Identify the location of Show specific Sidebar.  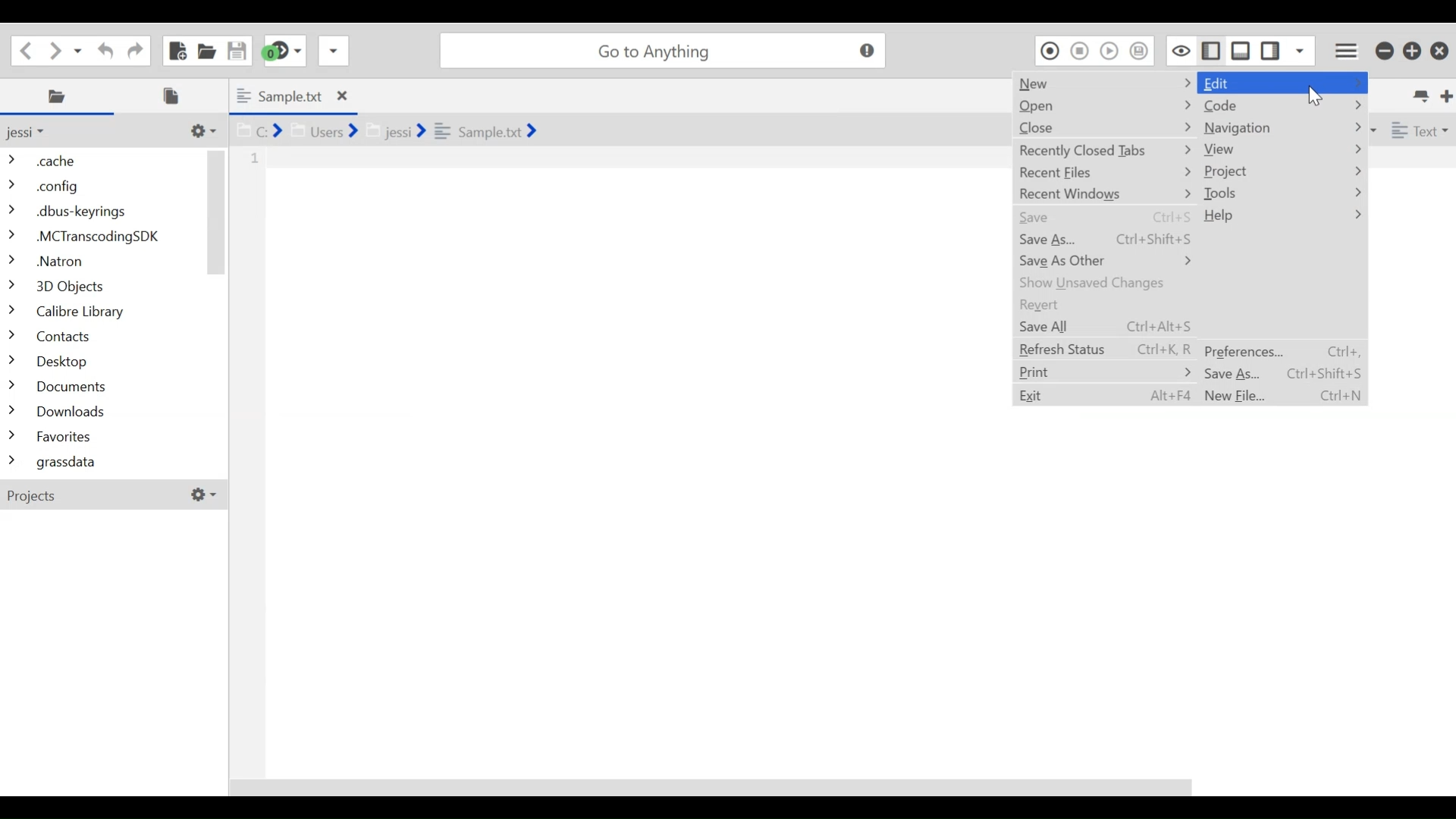
(1301, 50).